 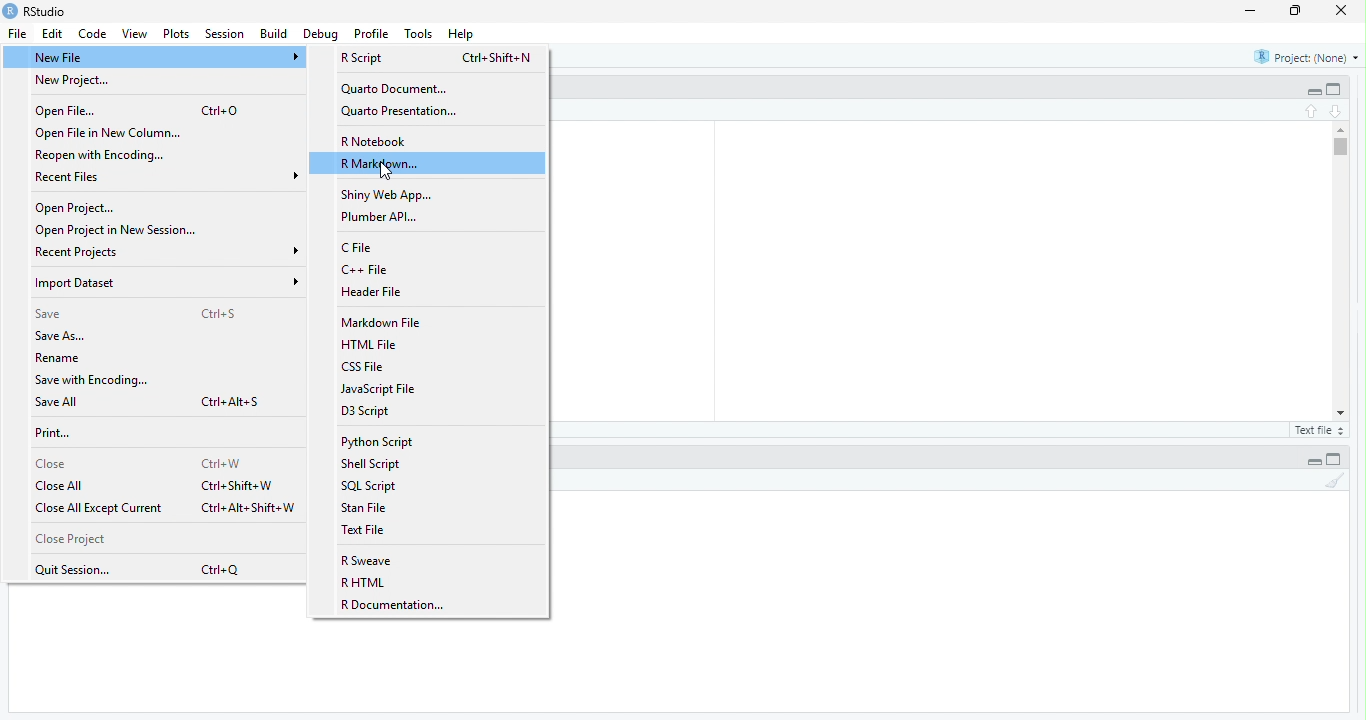 I want to click on full view, so click(x=1334, y=459).